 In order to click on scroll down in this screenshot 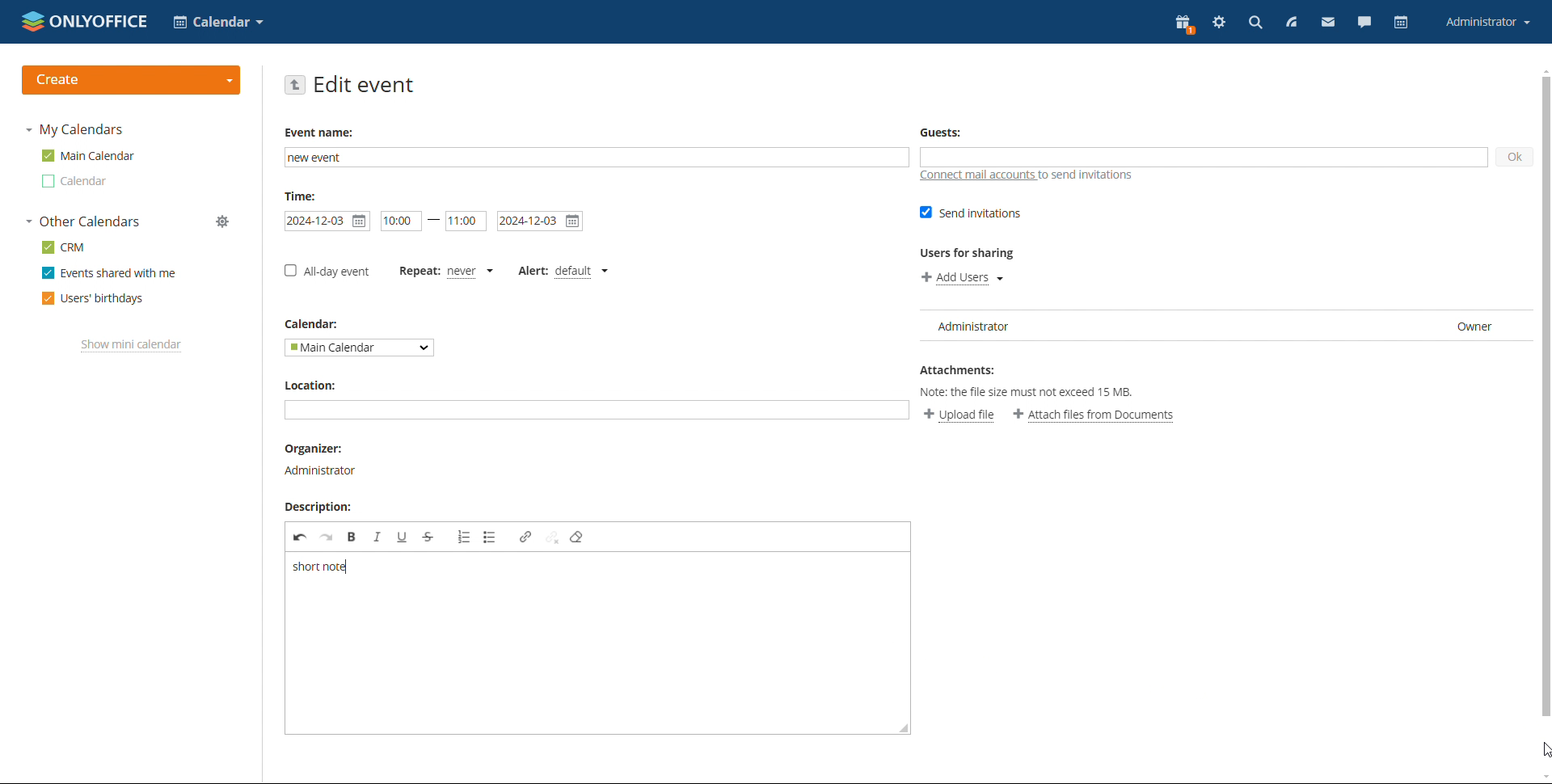, I will do `click(1542, 777)`.